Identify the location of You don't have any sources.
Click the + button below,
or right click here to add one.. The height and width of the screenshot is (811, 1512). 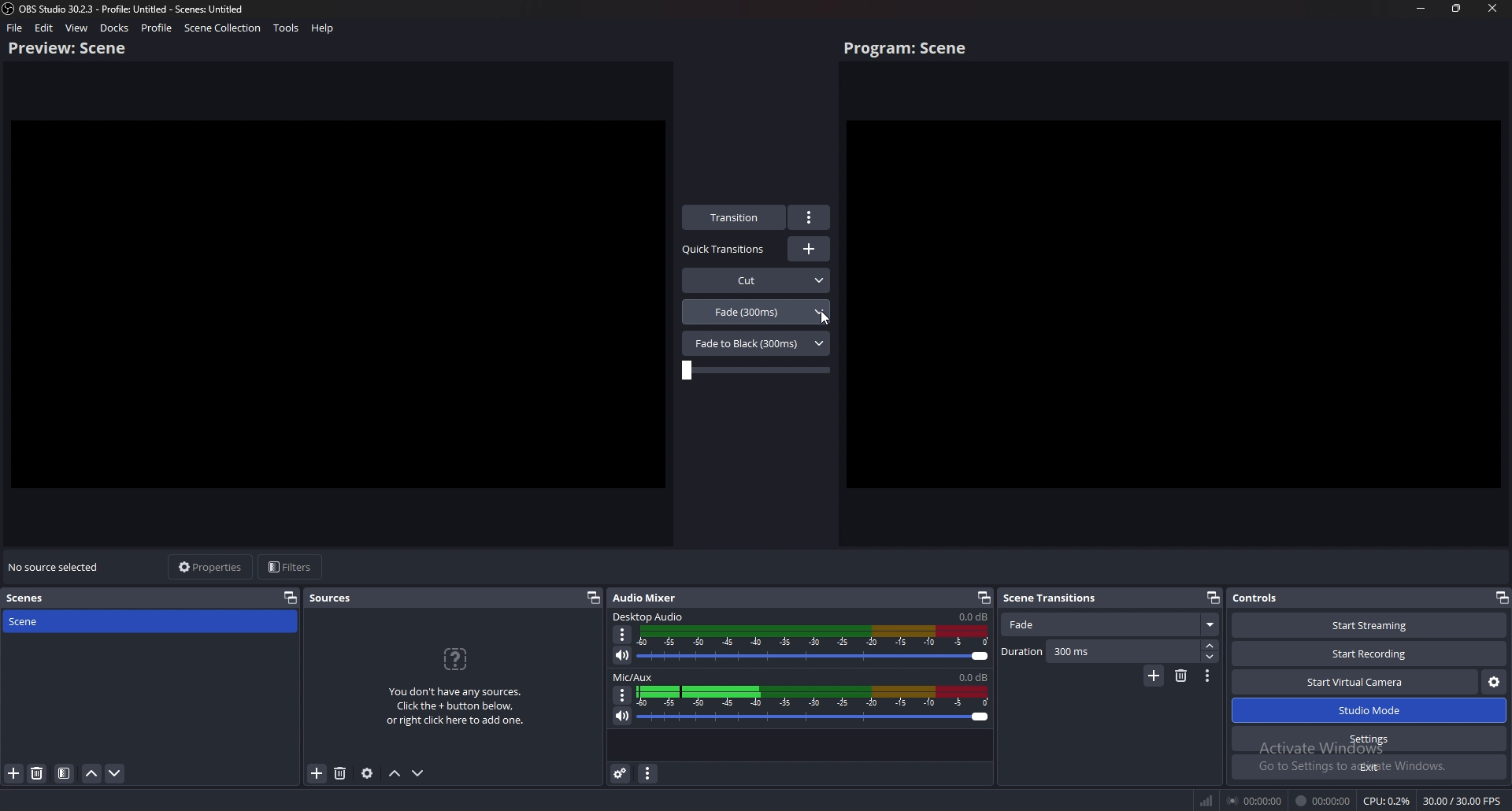
(460, 709).